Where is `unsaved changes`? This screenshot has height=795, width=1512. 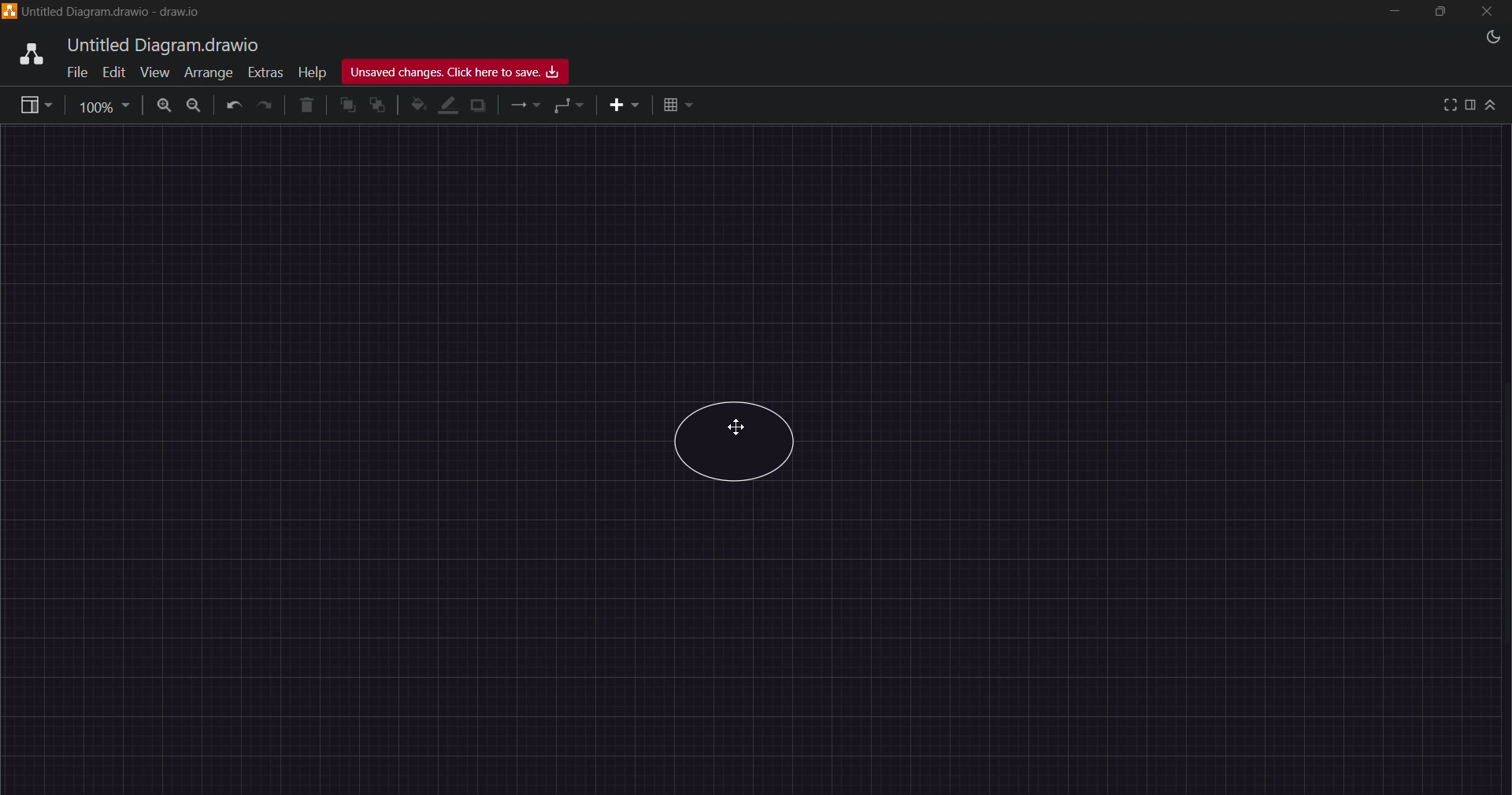 unsaved changes is located at coordinates (455, 71).